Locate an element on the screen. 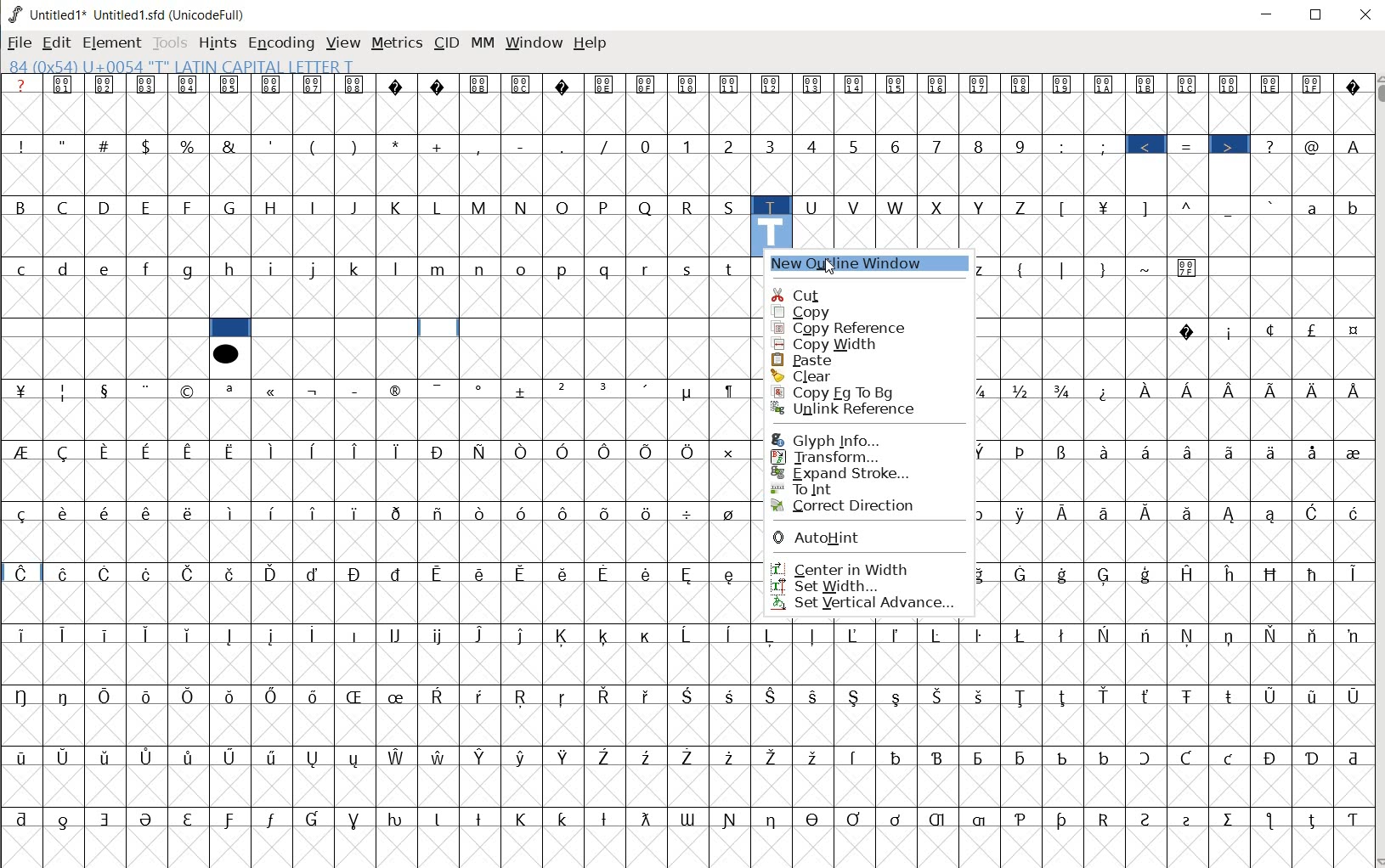  d is located at coordinates (65, 268).